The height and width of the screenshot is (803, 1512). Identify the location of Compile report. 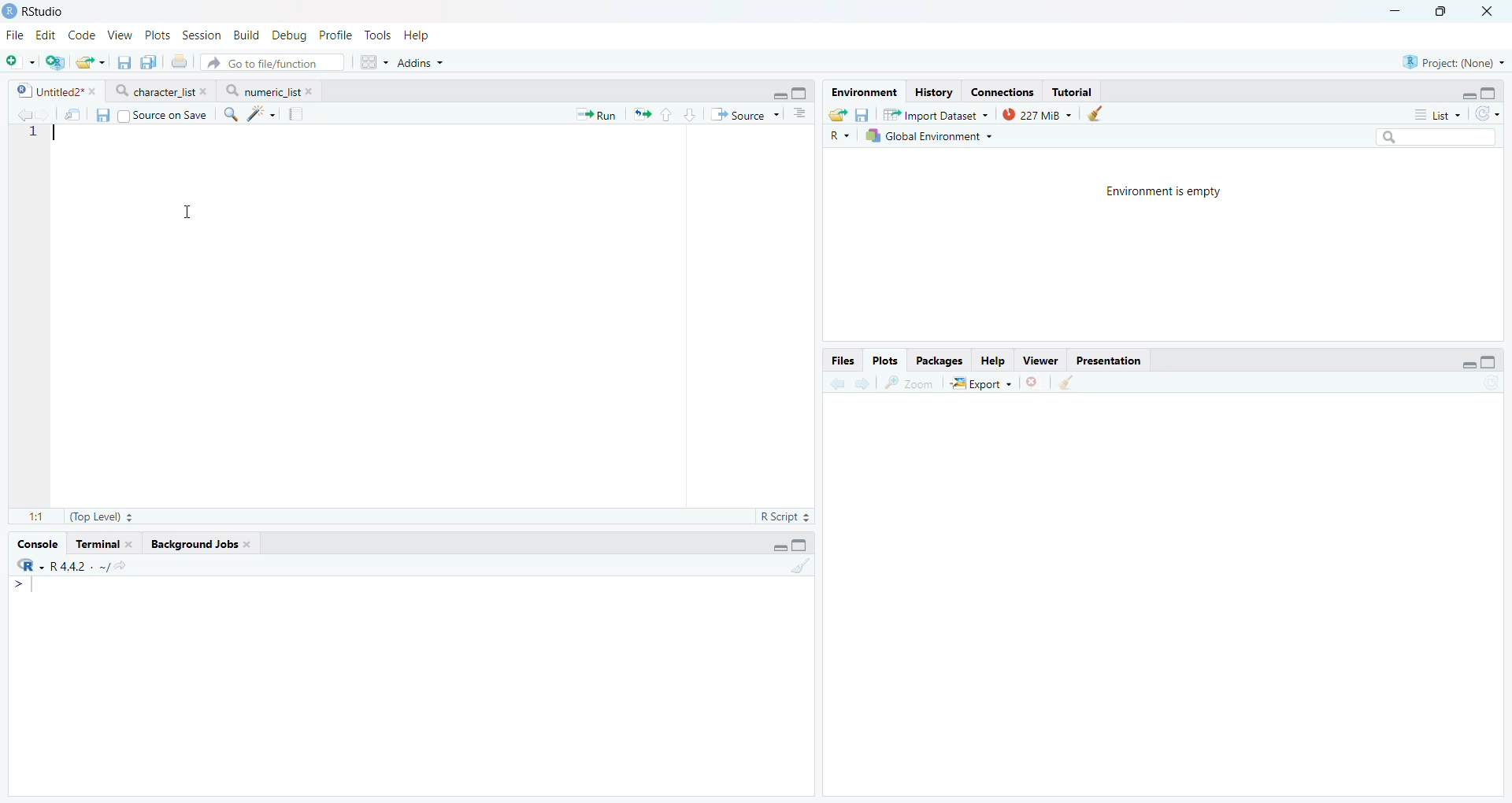
(298, 113).